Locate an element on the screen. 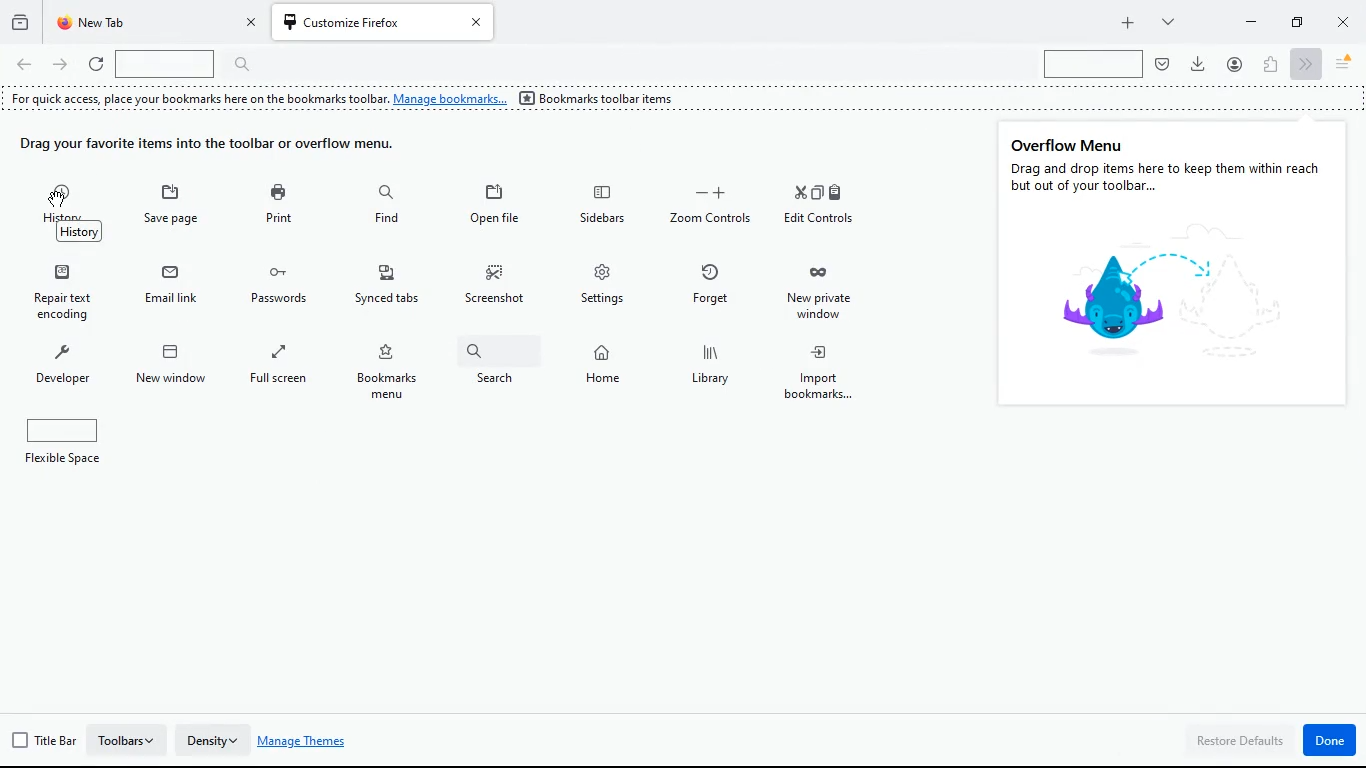  profile is located at coordinates (1235, 63).